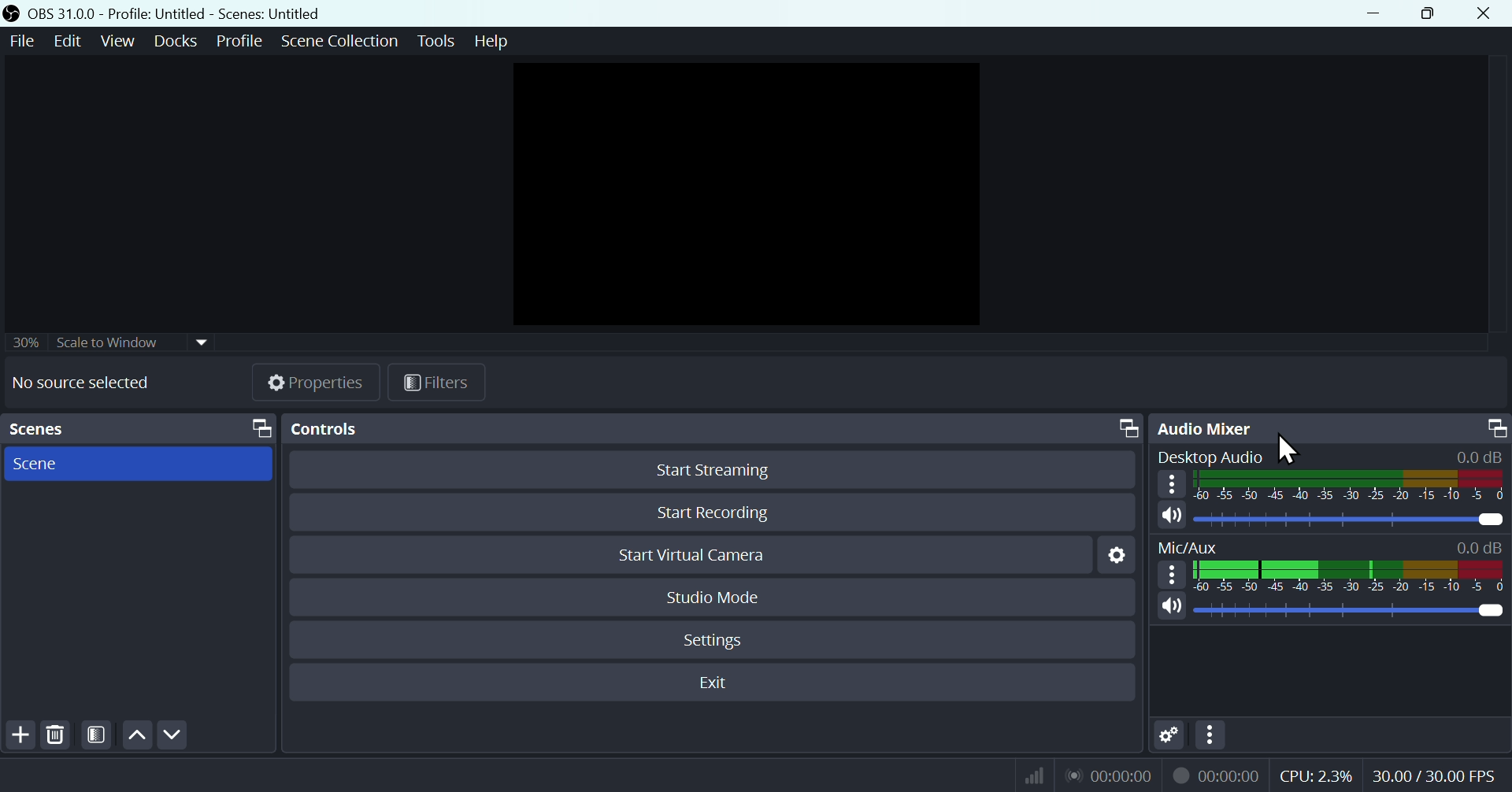 Image resolution: width=1512 pixels, height=792 pixels. Describe the element at coordinates (10, 13) in the screenshot. I see `OBS Studio Desktop icon` at that location.